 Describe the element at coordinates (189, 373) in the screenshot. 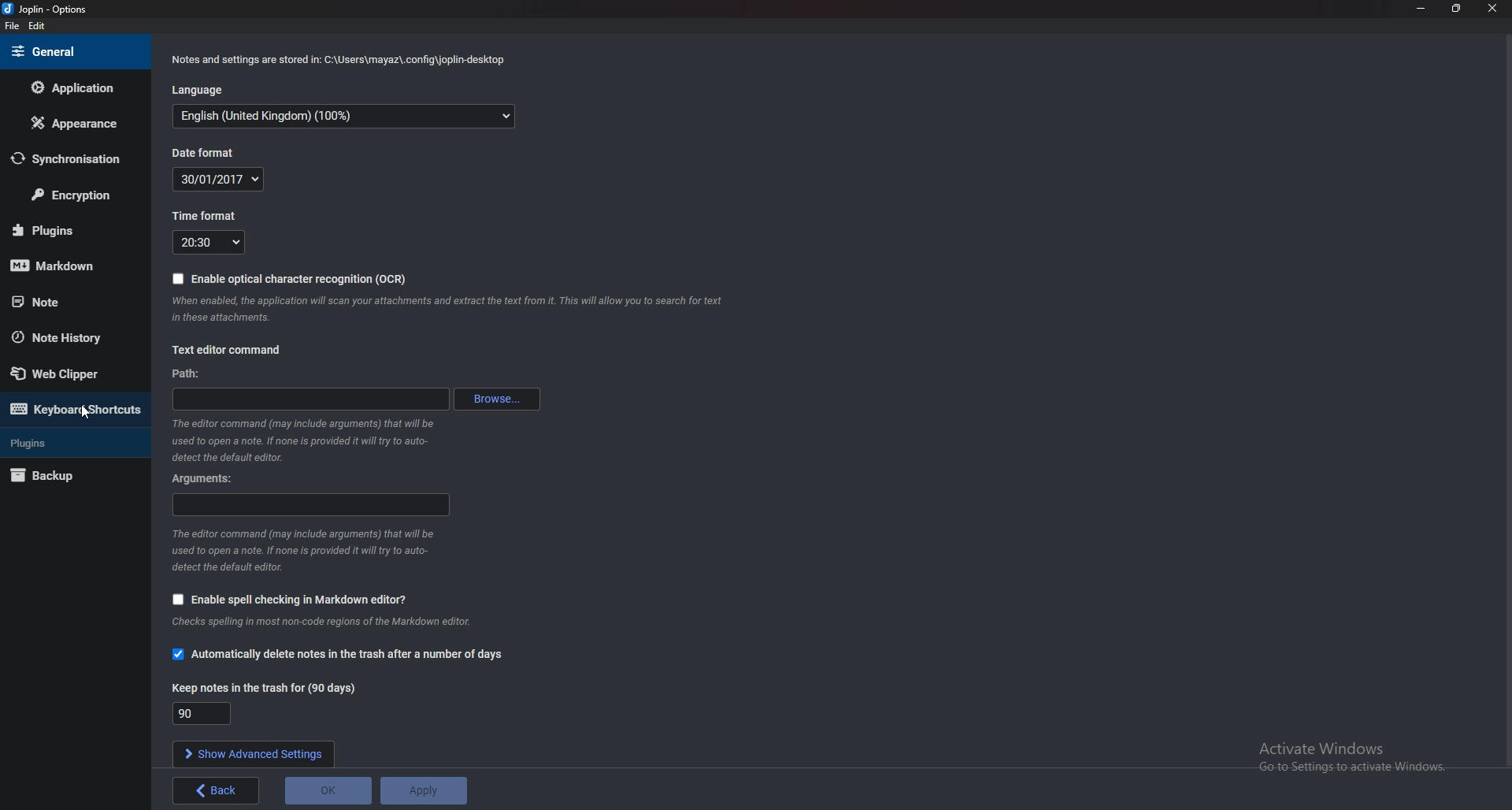

I see `path` at that location.